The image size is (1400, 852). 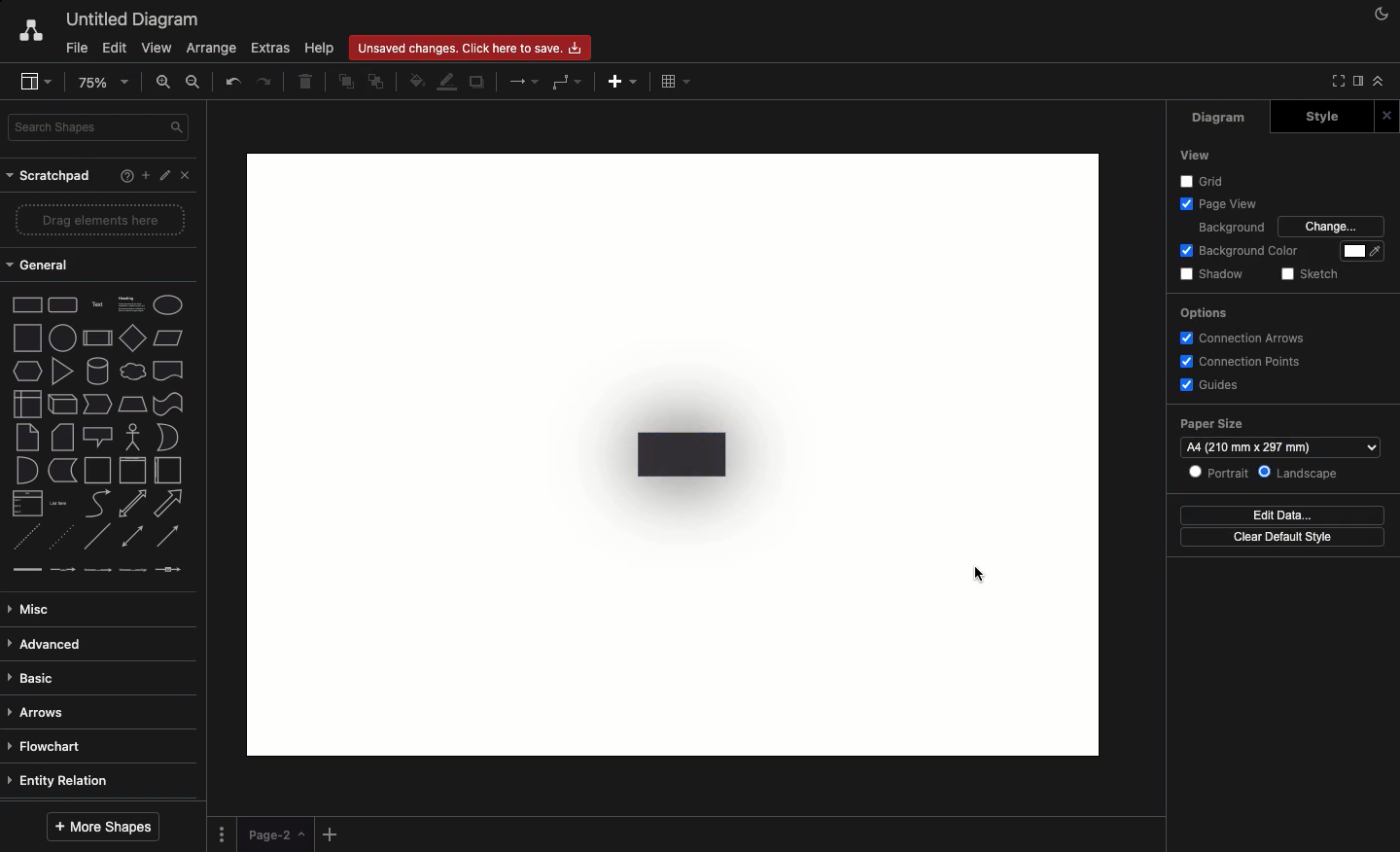 I want to click on Zoom out, so click(x=193, y=82).